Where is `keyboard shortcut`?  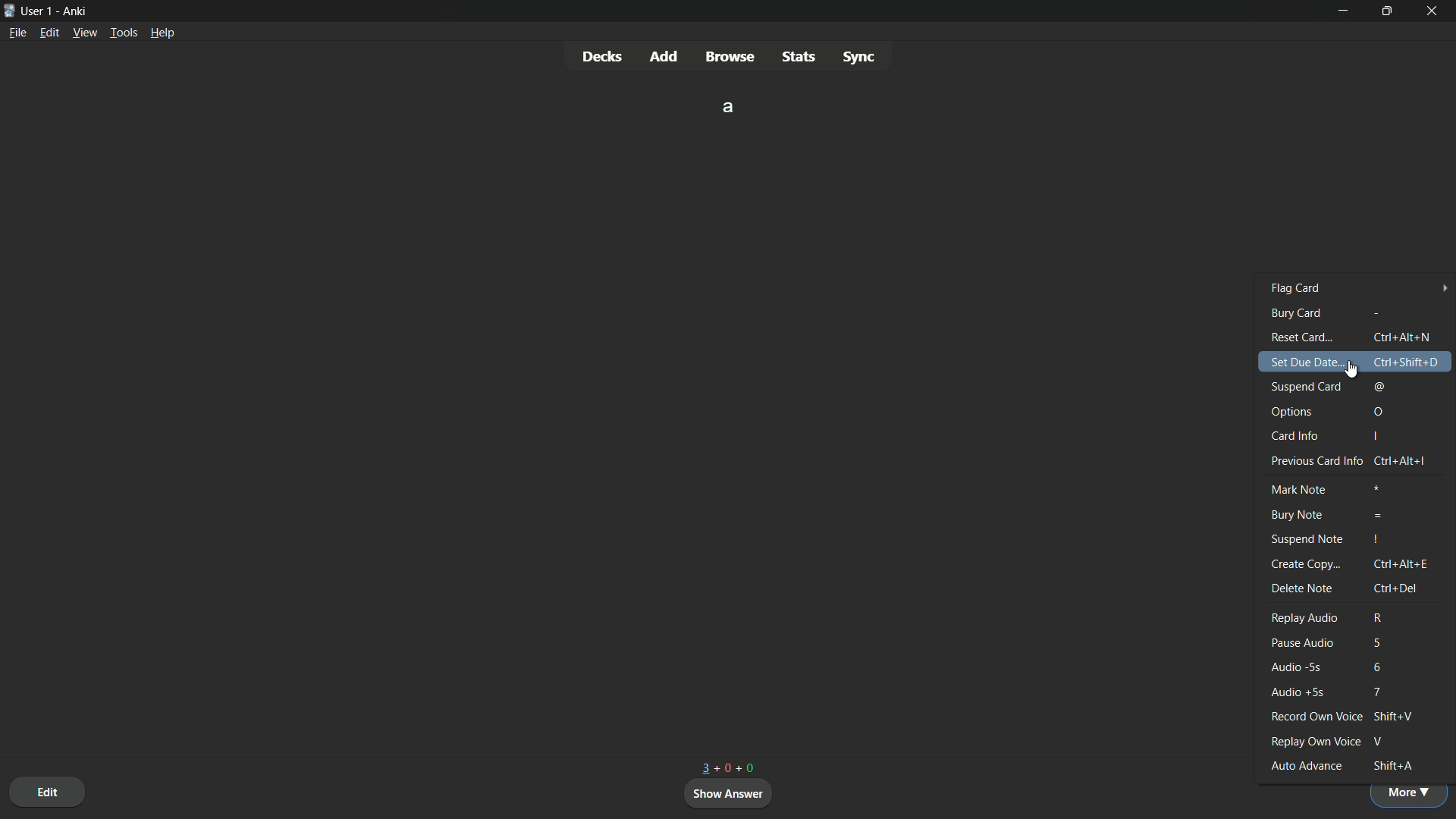 keyboard shortcut is located at coordinates (1377, 692).